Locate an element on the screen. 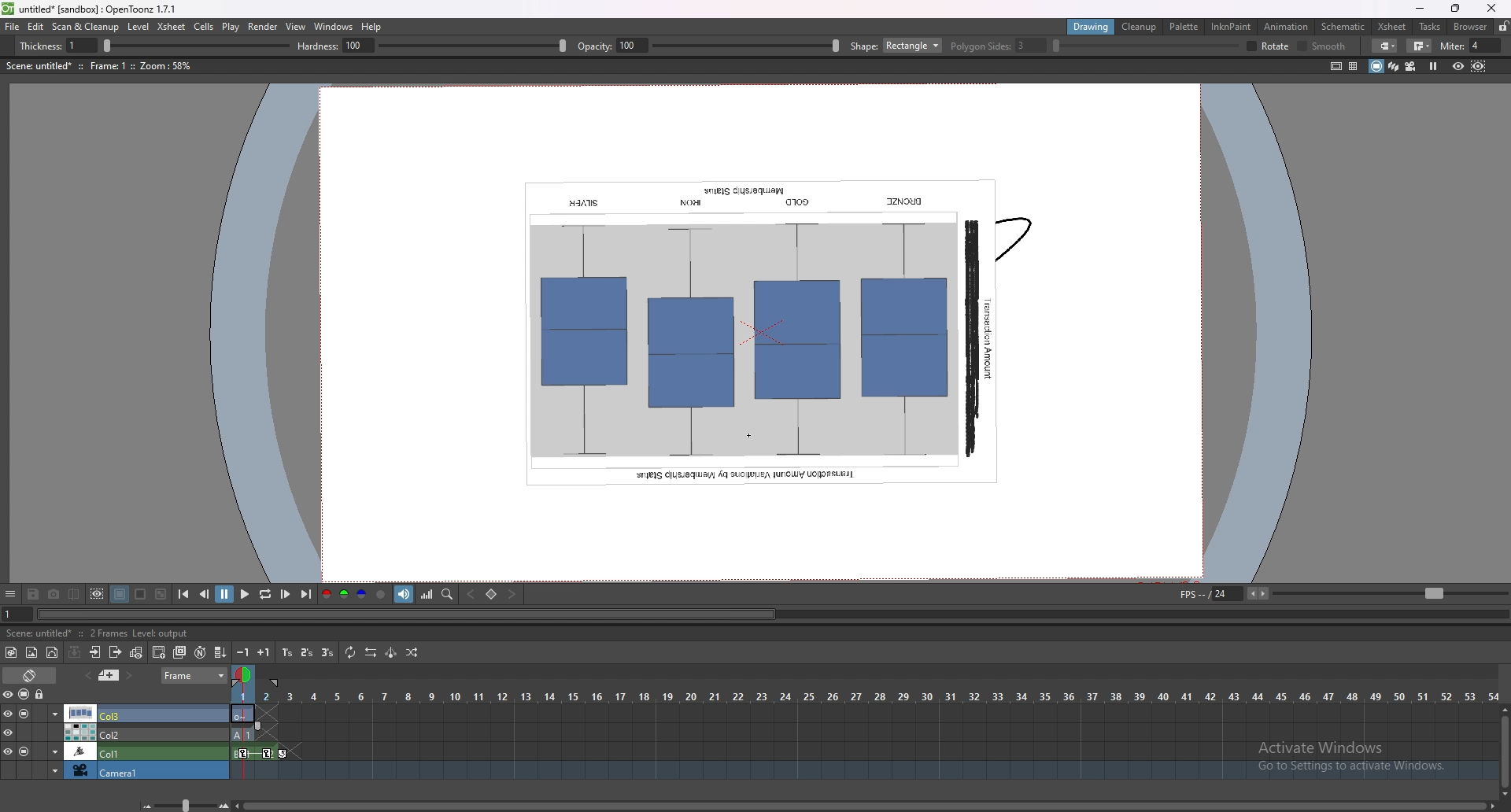 The height and width of the screenshot is (812, 1511). column 1 is located at coordinates (117, 734).